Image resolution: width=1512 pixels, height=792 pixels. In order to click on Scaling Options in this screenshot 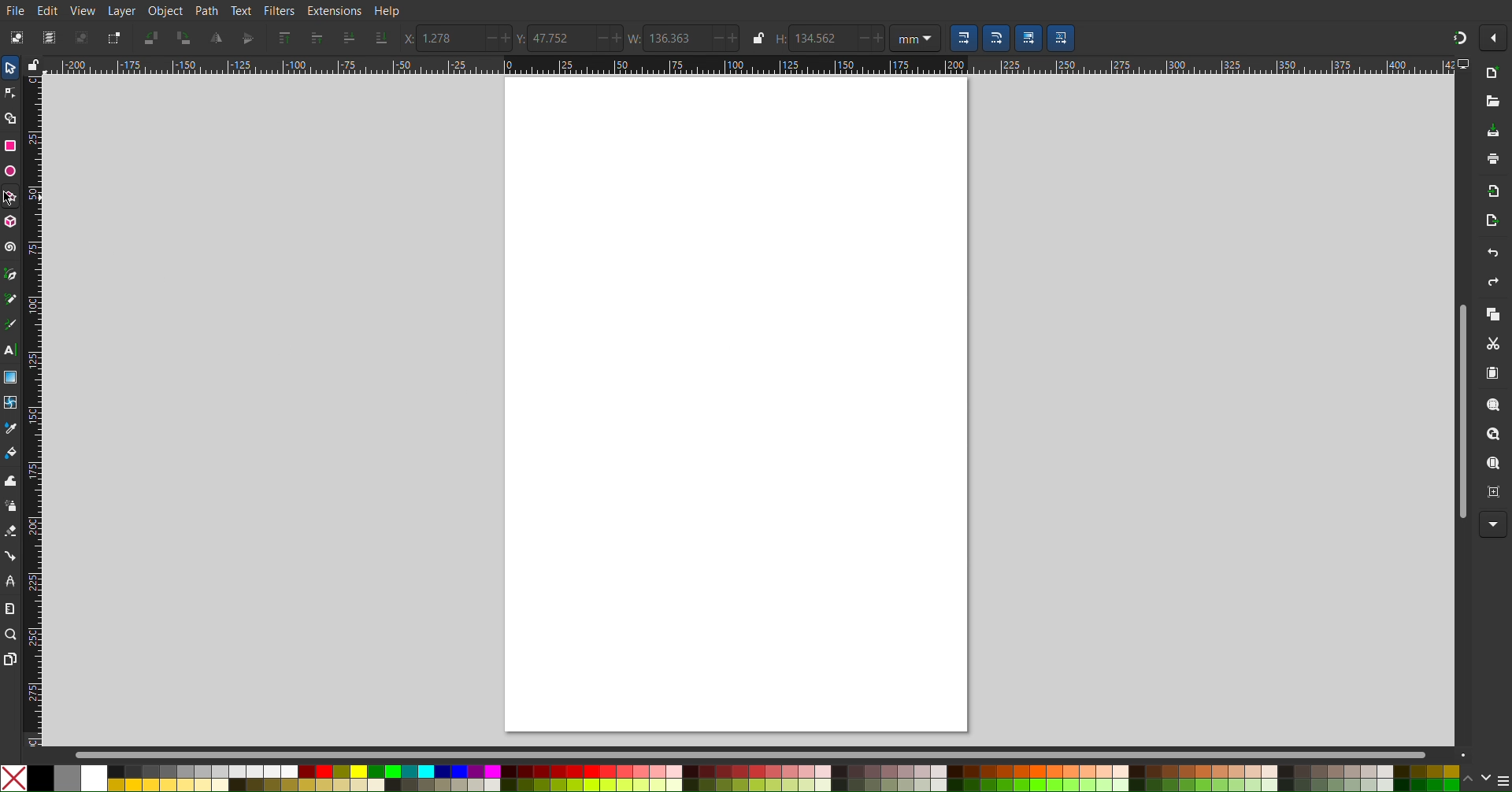, I will do `click(996, 39)`.